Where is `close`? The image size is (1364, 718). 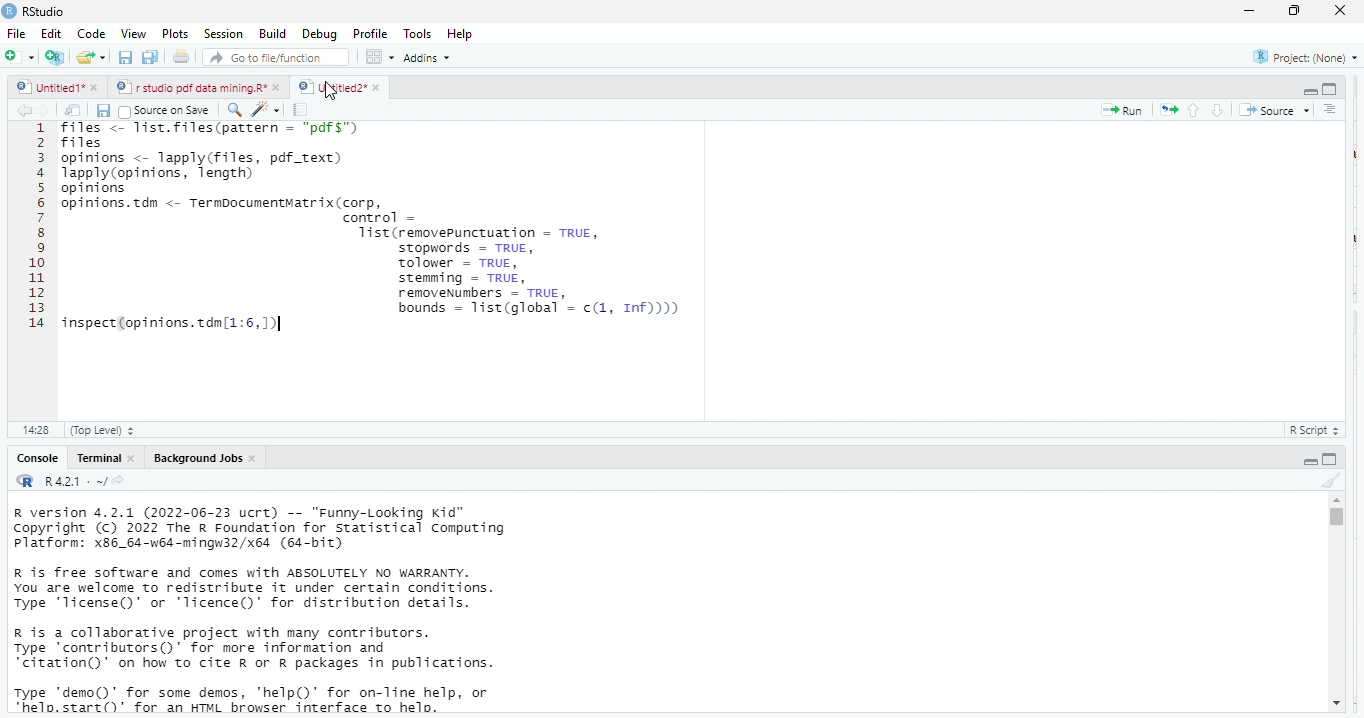 close is located at coordinates (1342, 11).